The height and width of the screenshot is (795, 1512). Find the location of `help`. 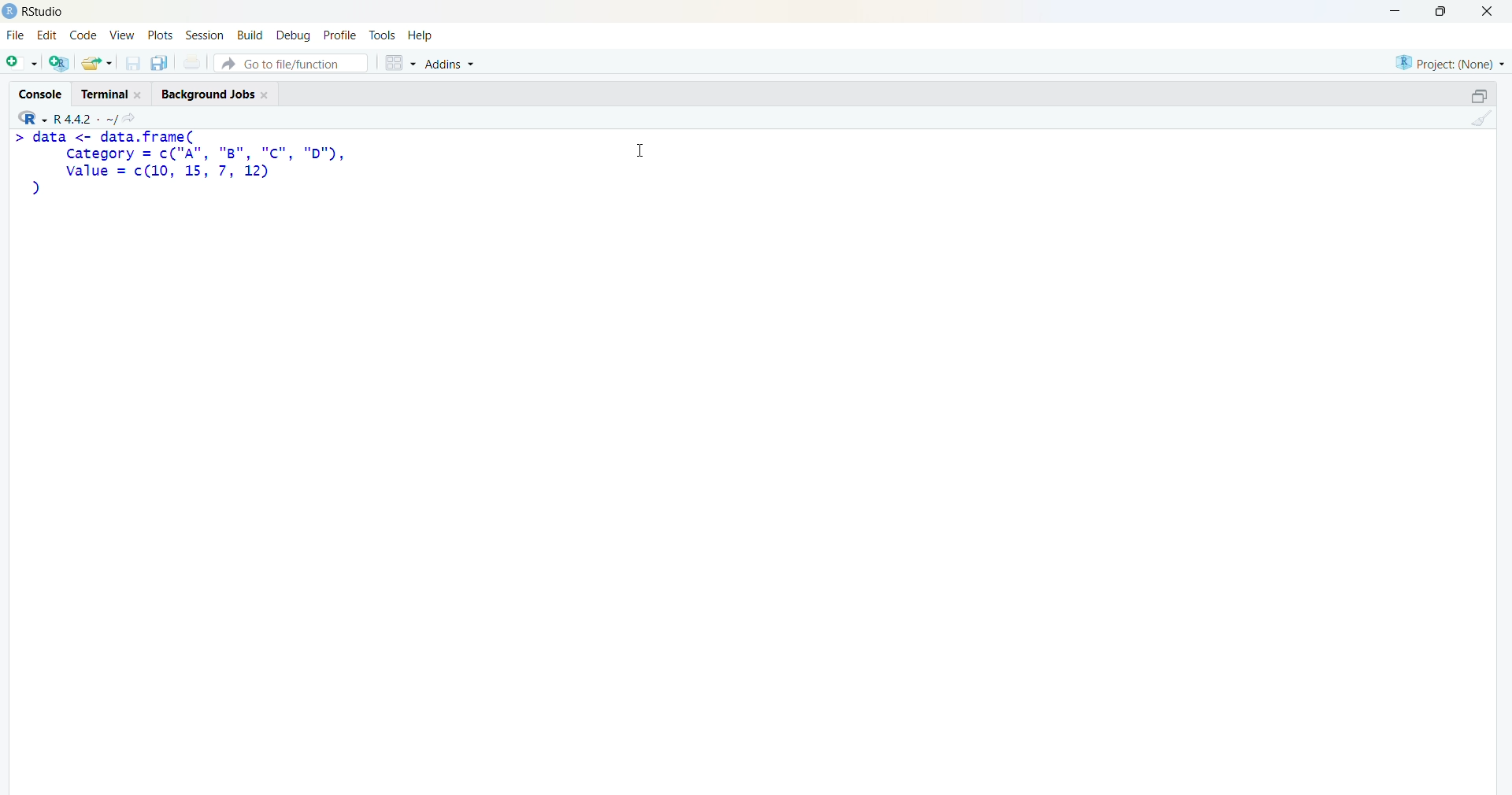

help is located at coordinates (423, 35).